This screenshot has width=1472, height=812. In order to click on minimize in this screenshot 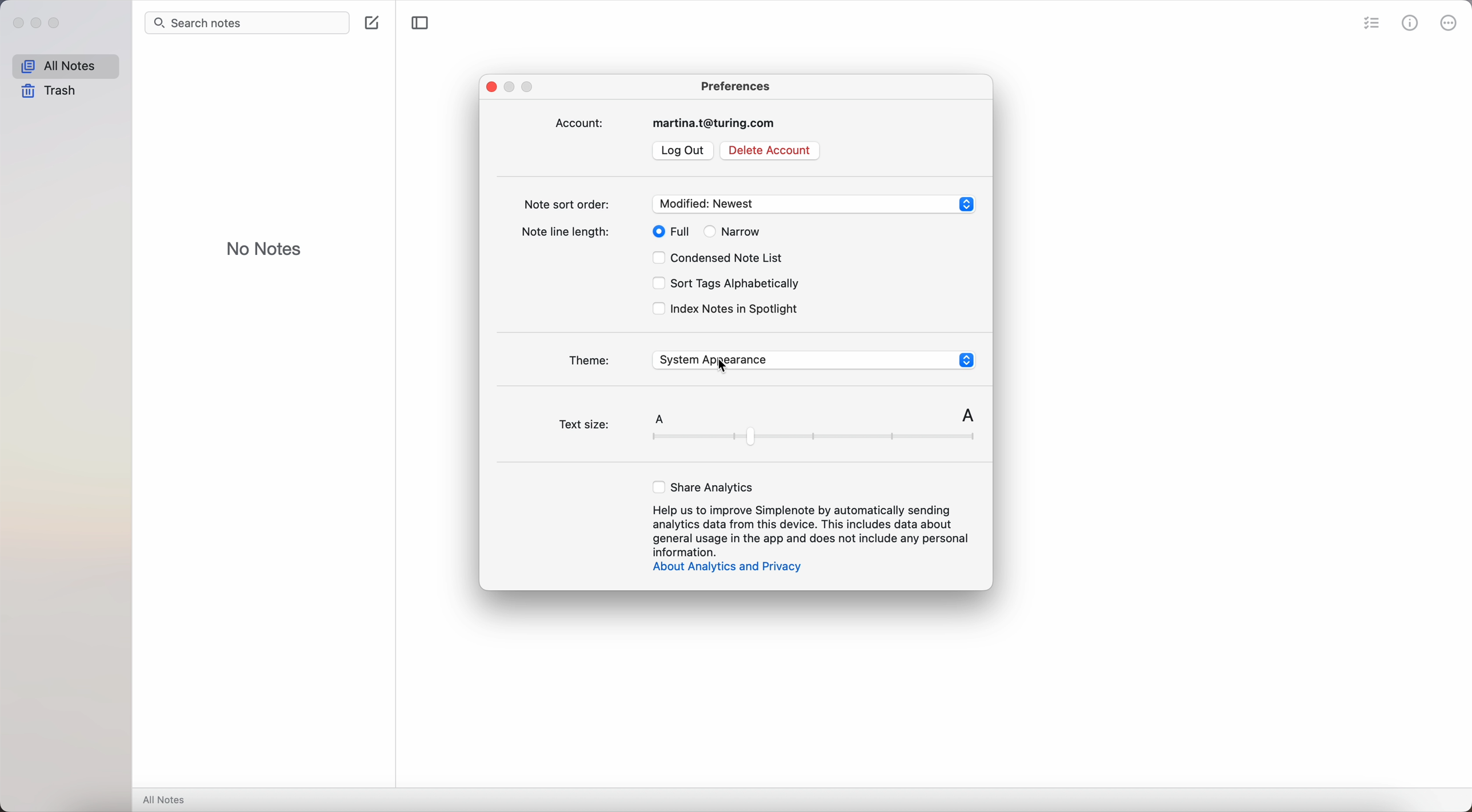, I will do `click(39, 24)`.